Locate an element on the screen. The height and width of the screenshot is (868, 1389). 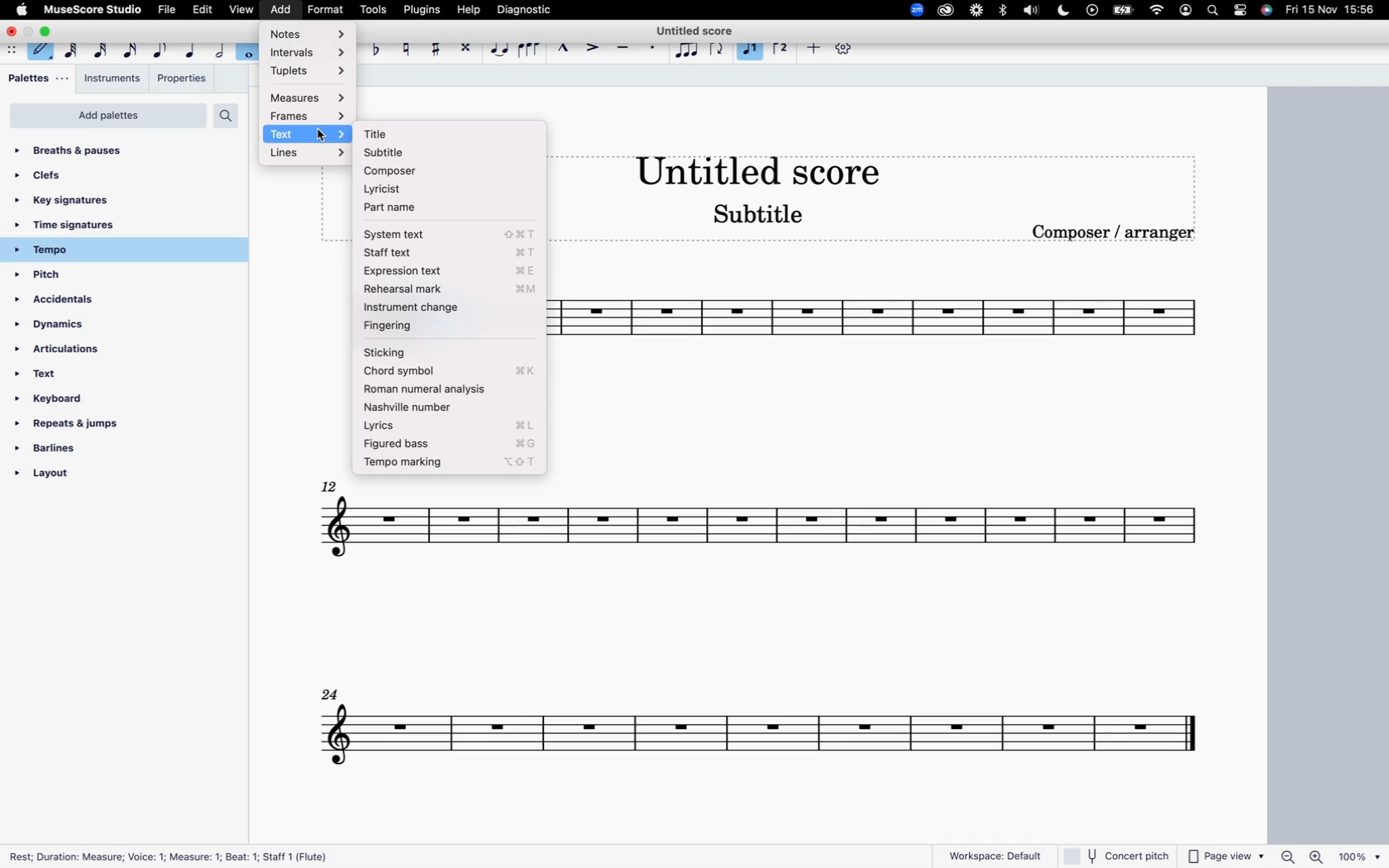
time signatures is located at coordinates (118, 225).